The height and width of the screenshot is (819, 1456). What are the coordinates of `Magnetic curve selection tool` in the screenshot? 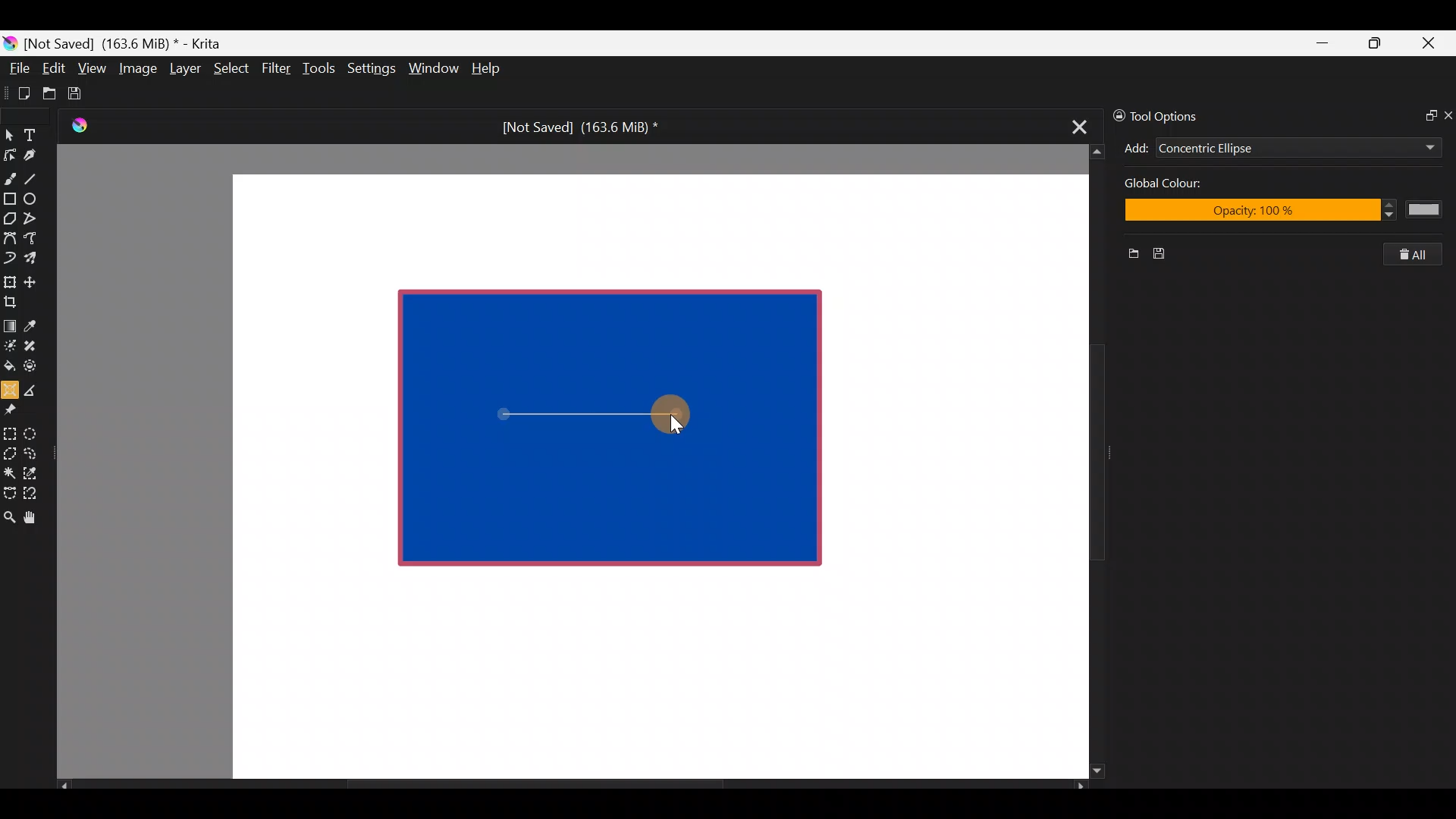 It's located at (35, 494).